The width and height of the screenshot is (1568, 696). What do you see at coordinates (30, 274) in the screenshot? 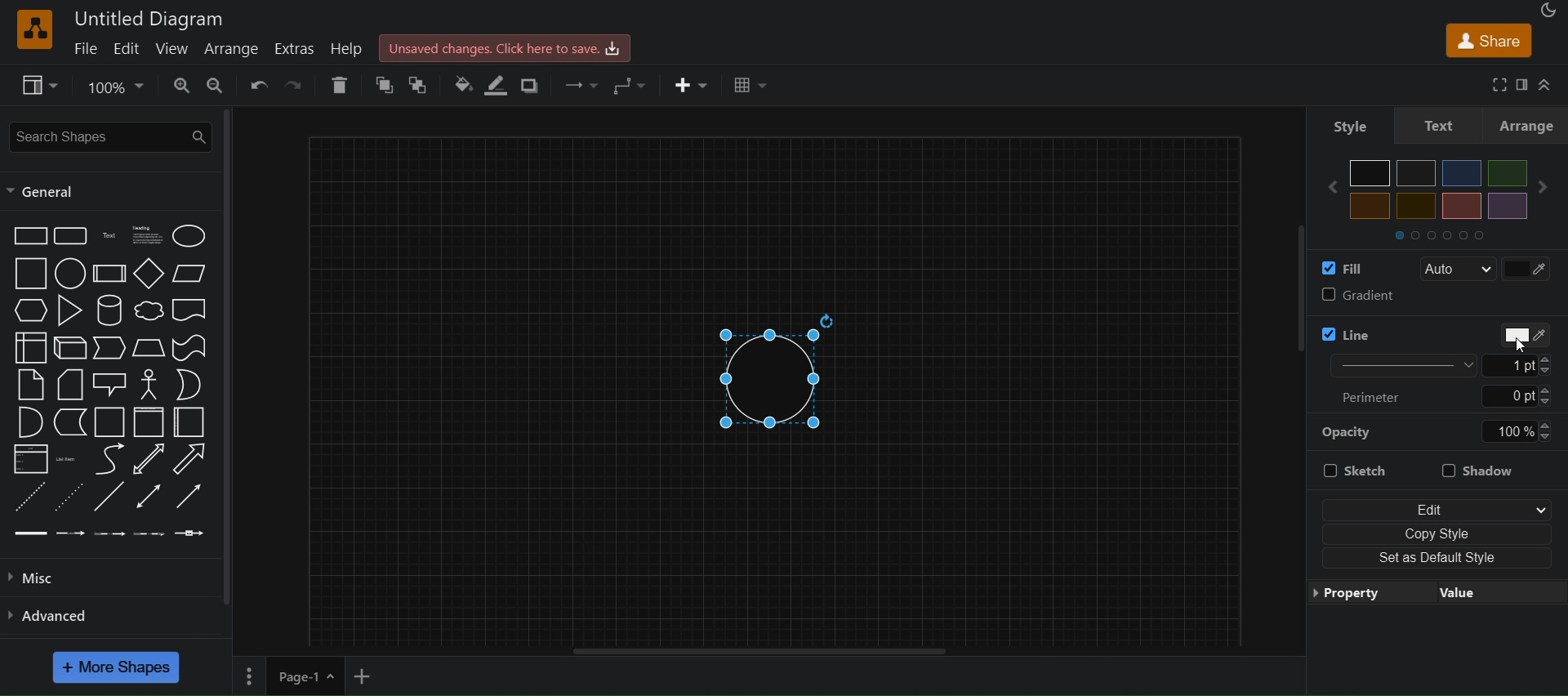
I see `square` at bounding box center [30, 274].